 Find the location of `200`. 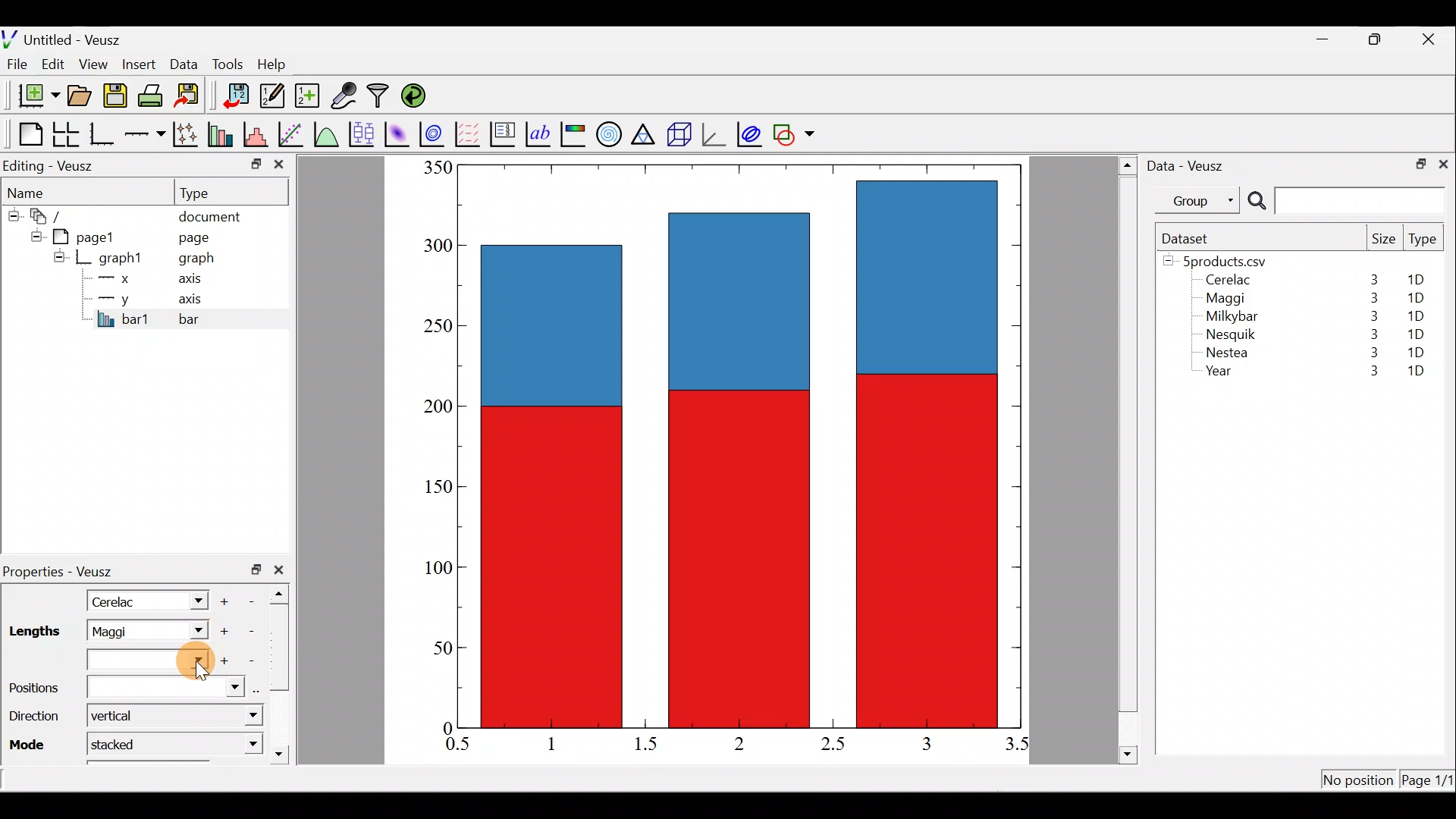

200 is located at coordinates (433, 409).